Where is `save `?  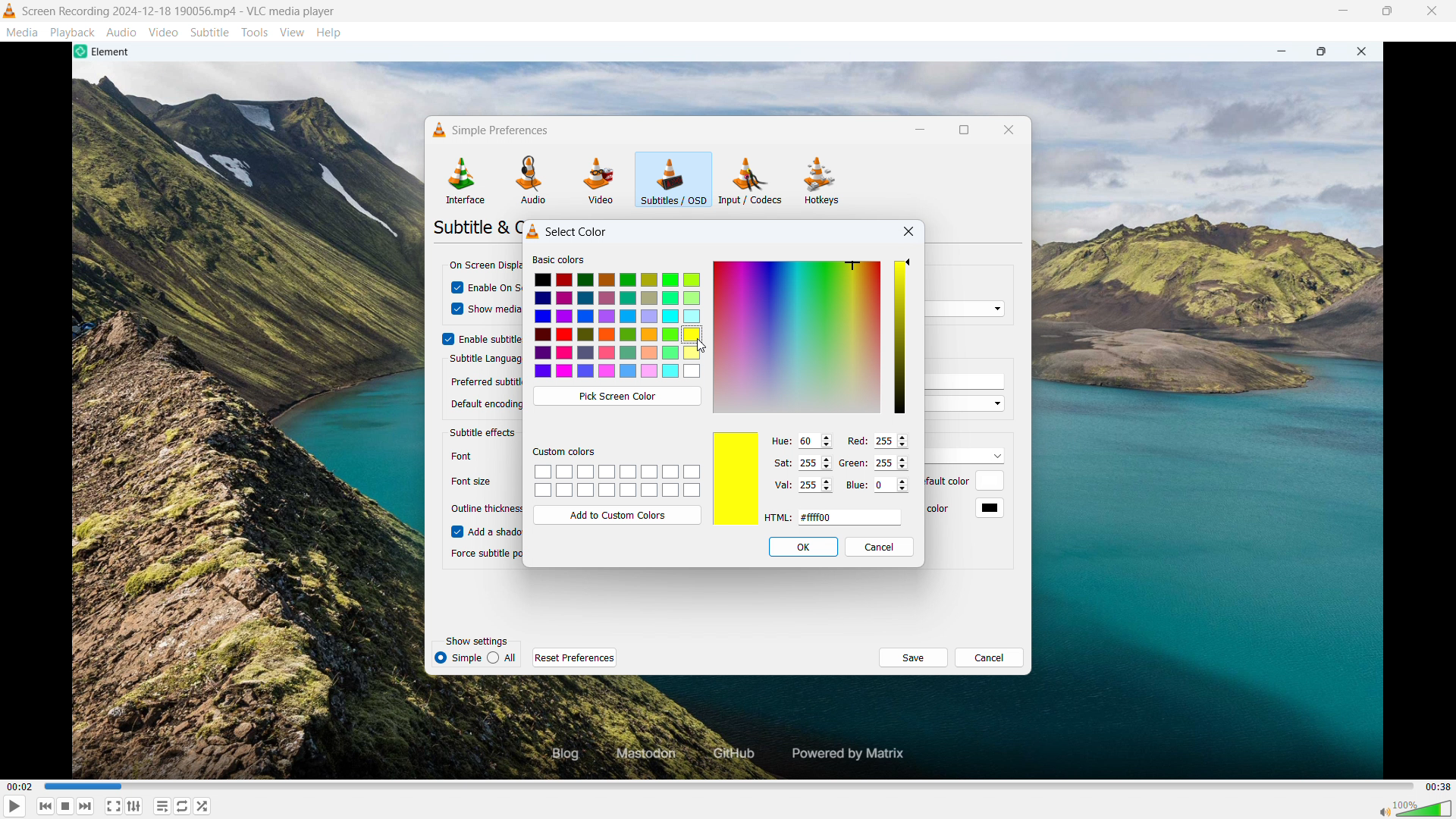
save  is located at coordinates (912, 657).